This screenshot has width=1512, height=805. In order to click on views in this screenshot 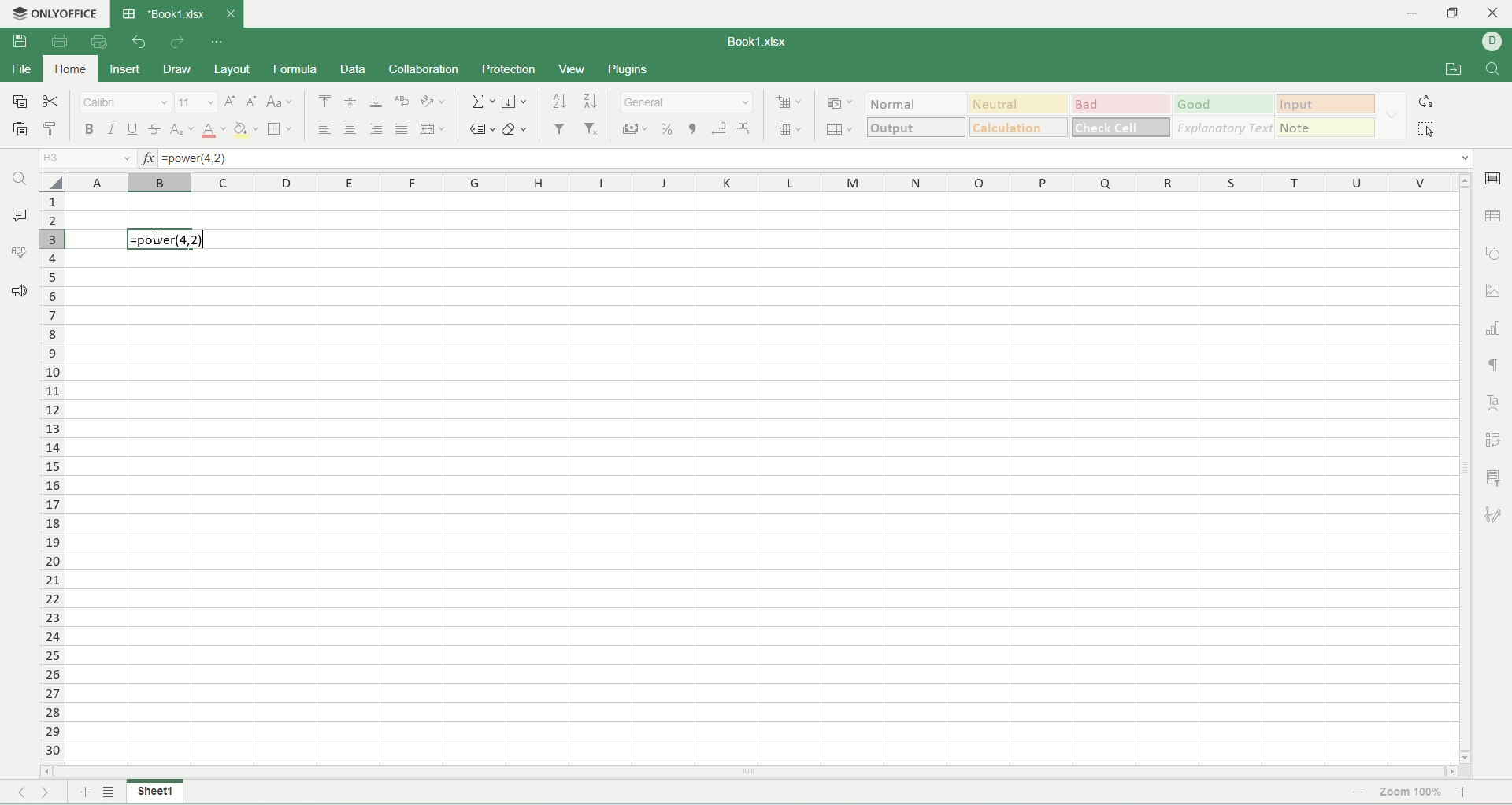, I will do `click(573, 69)`.